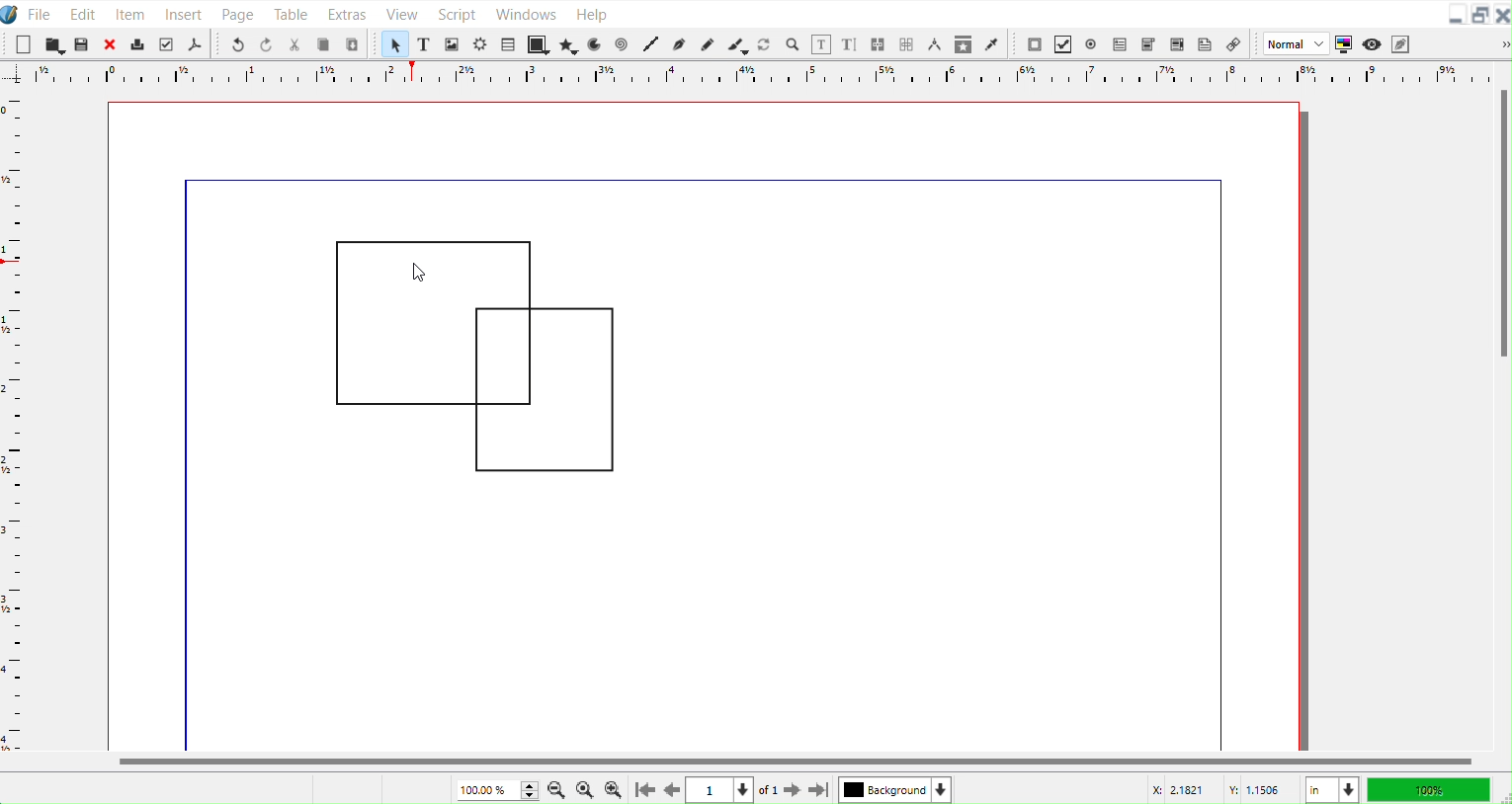 Image resolution: width=1512 pixels, height=804 pixels. What do you see at coordinates (673, 790) in the screenshot?
I see `Go to previous Page` at bounding box center [673, 790].